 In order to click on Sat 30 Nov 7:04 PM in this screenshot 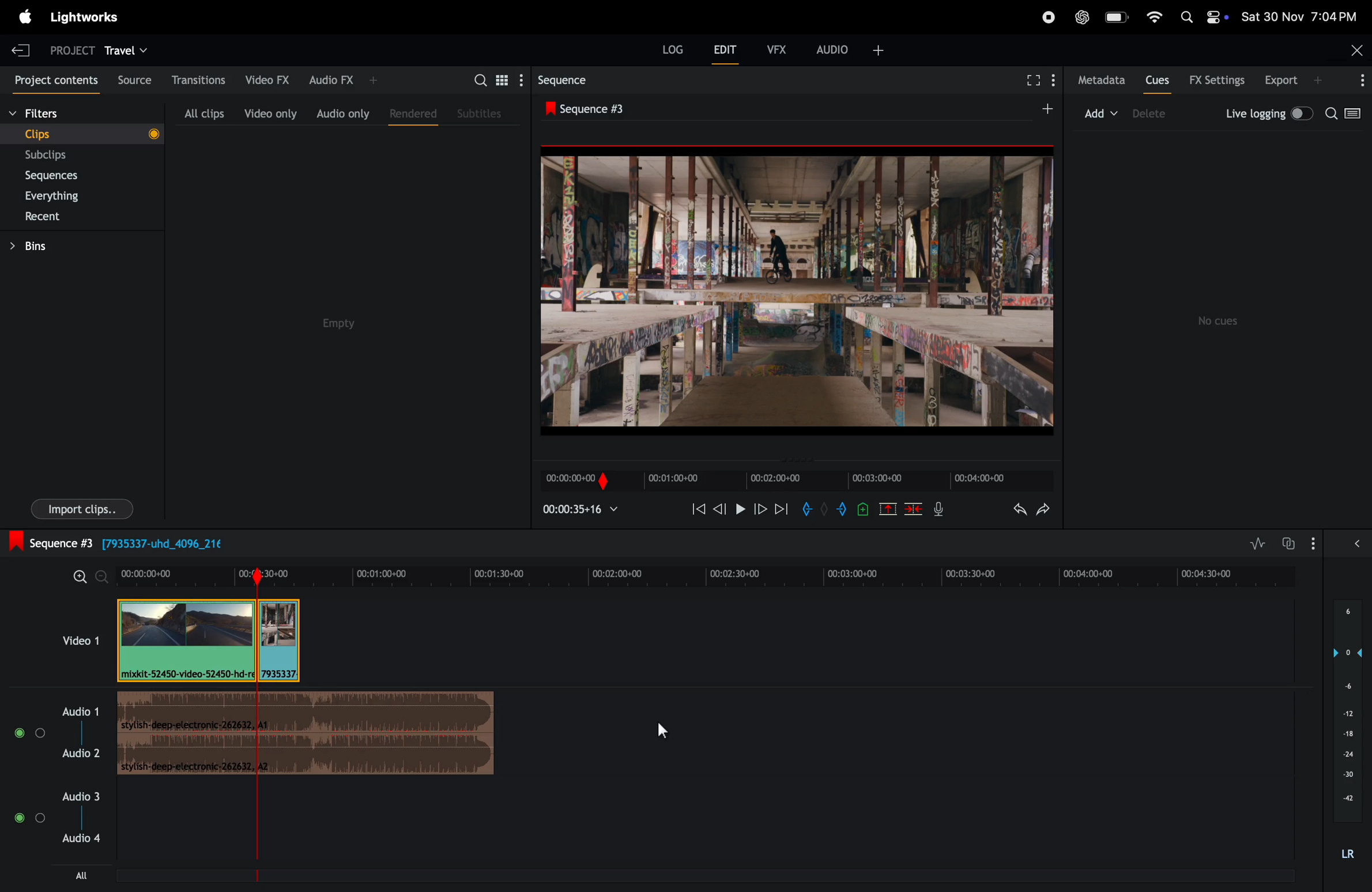, I will do `click(1305, 16)`.